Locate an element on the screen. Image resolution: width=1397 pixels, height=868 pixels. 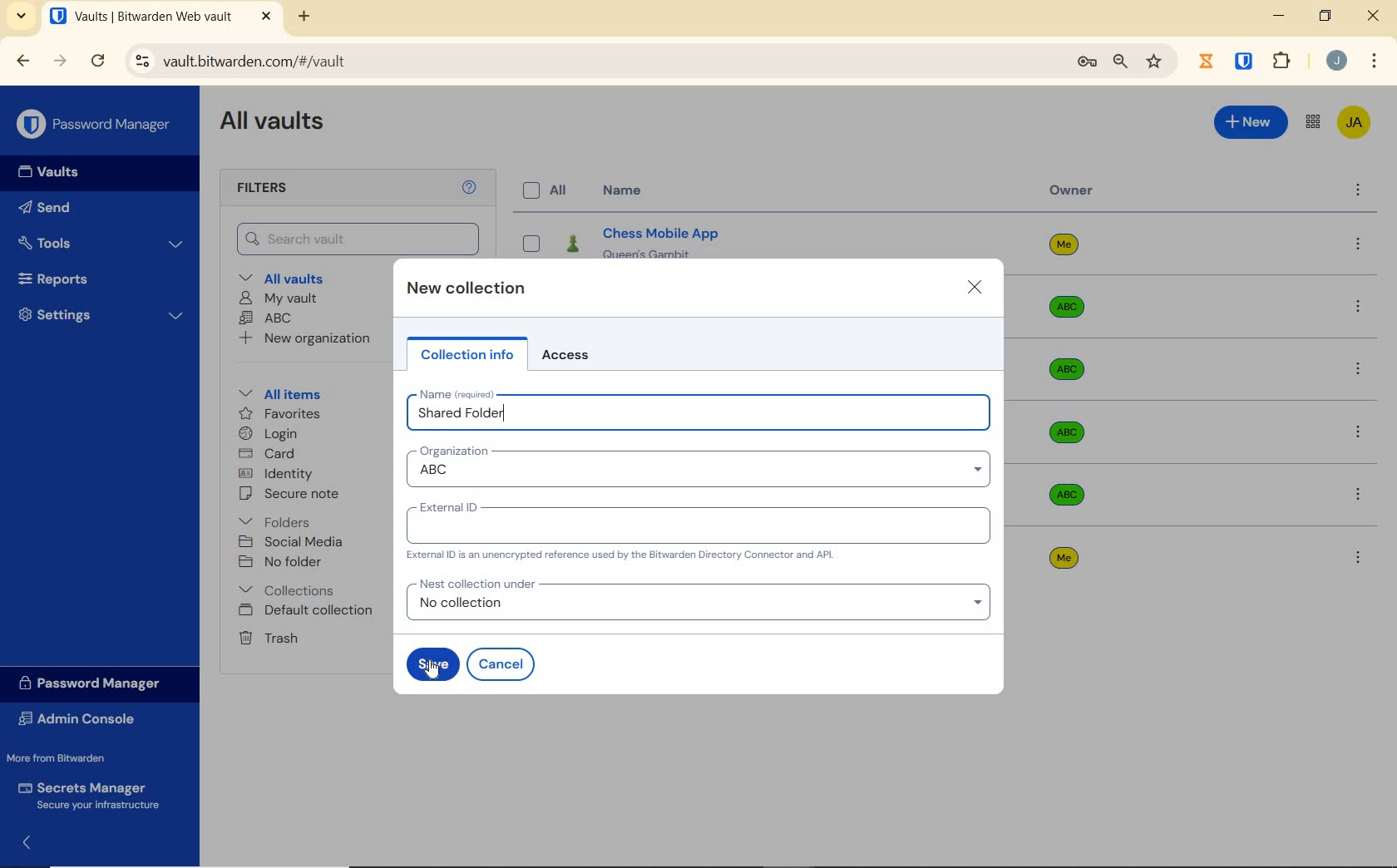
Owner Name is located at coordinates (1064, 404).